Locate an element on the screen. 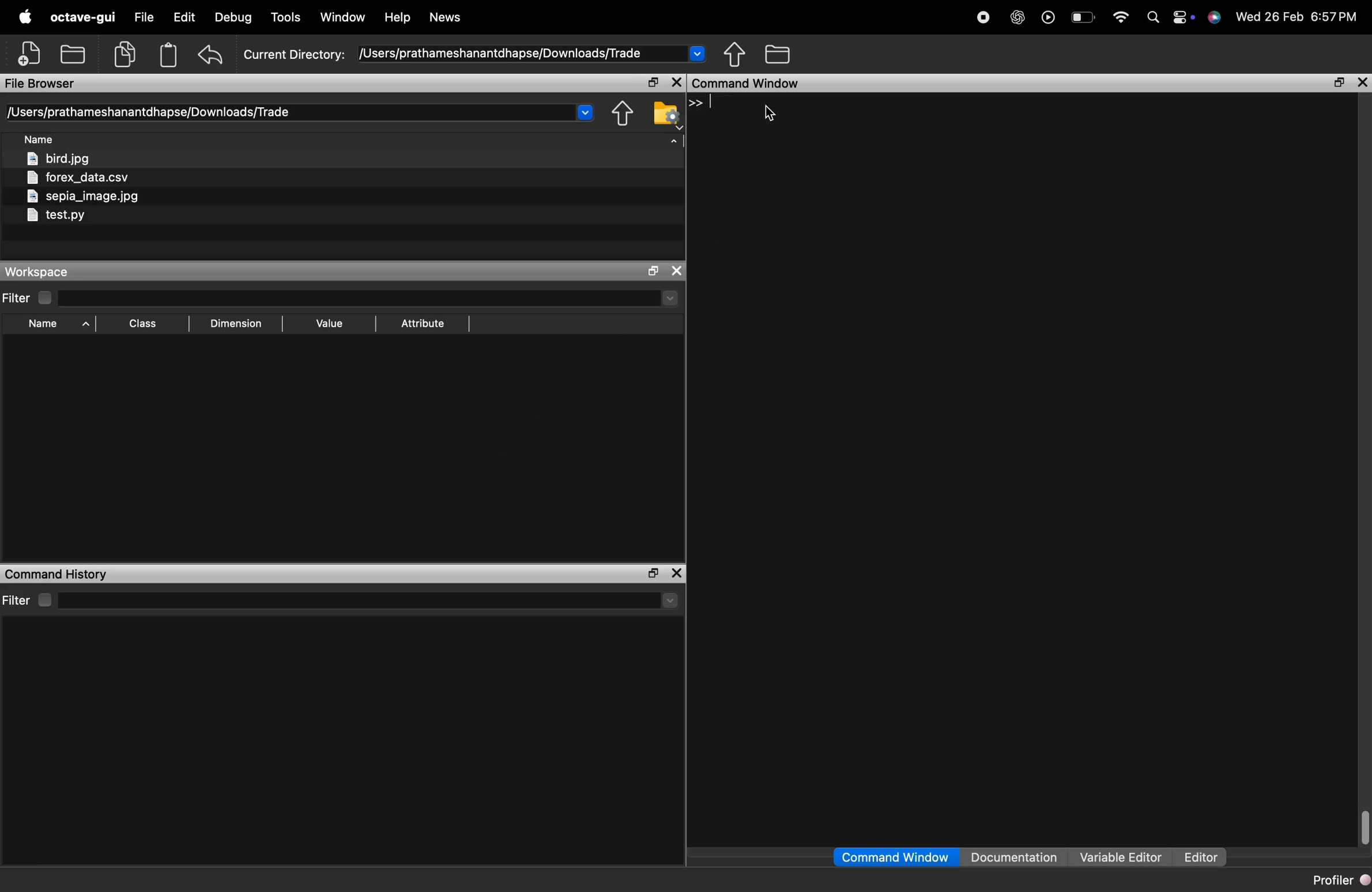  sort by attribute is located at coordinates (426, 324).